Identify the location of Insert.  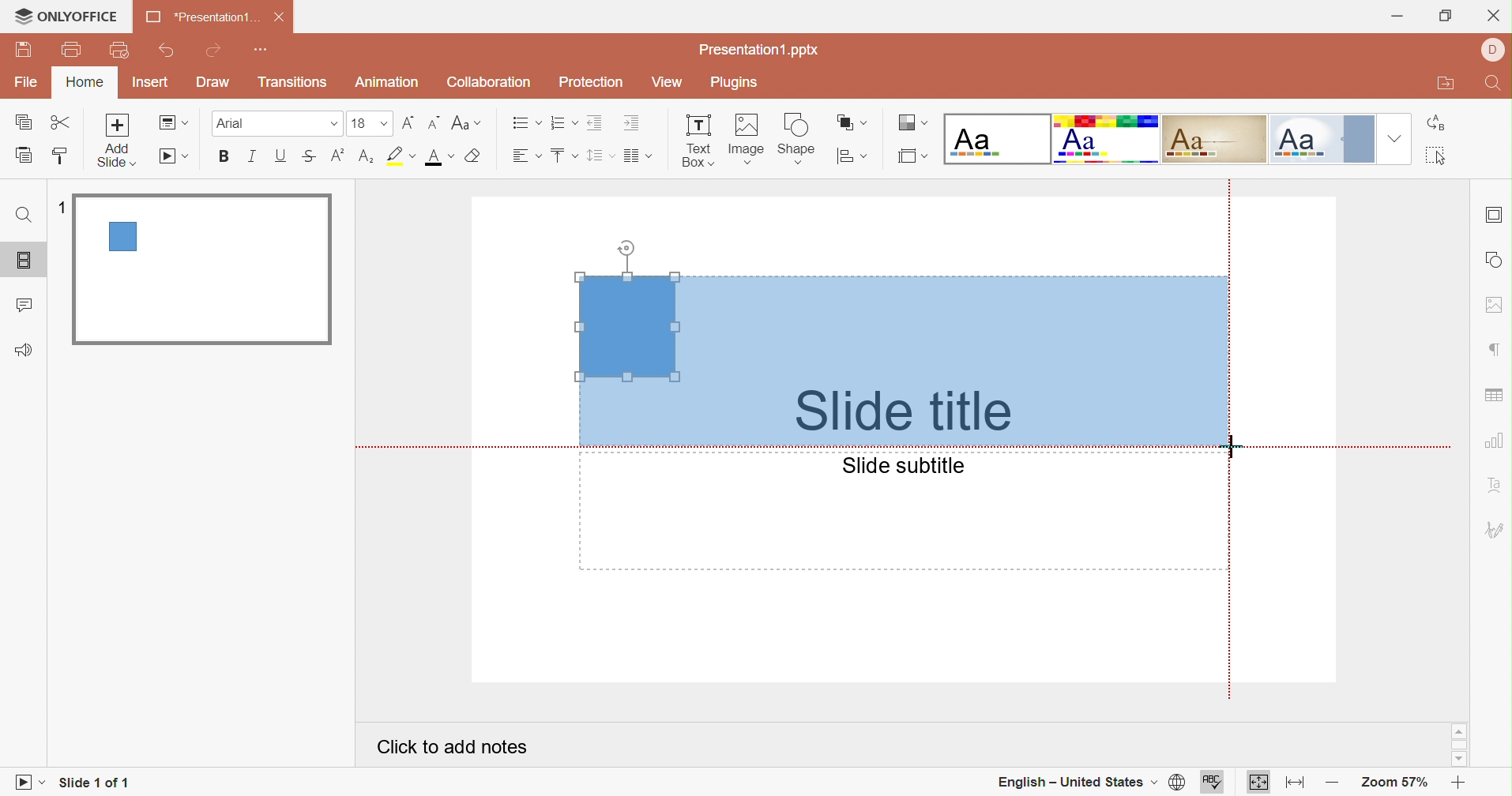
(150, 81).